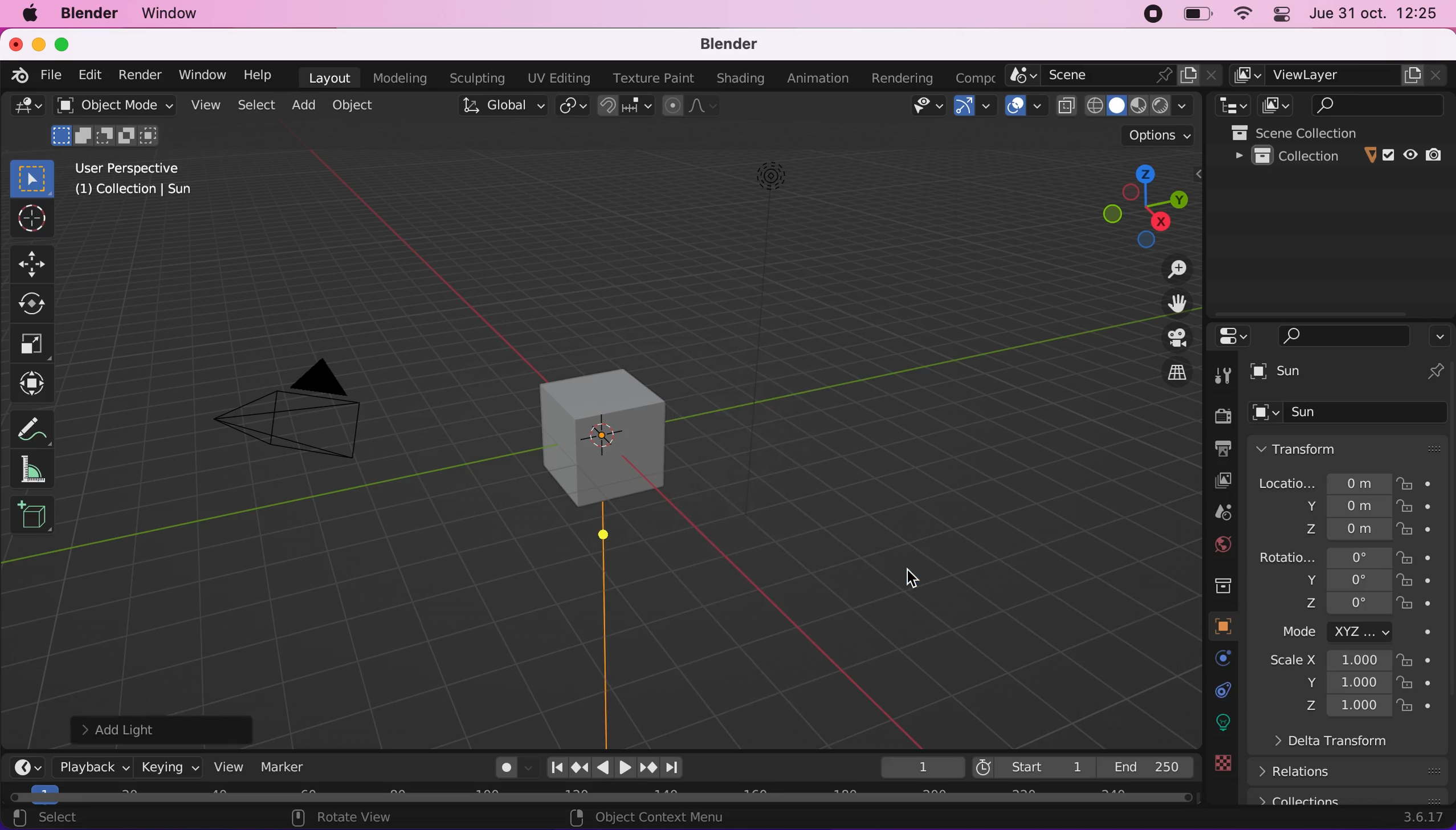 The height and width of the screenshot is (830, 1456). I want to click on physics, so click(1218, 722).